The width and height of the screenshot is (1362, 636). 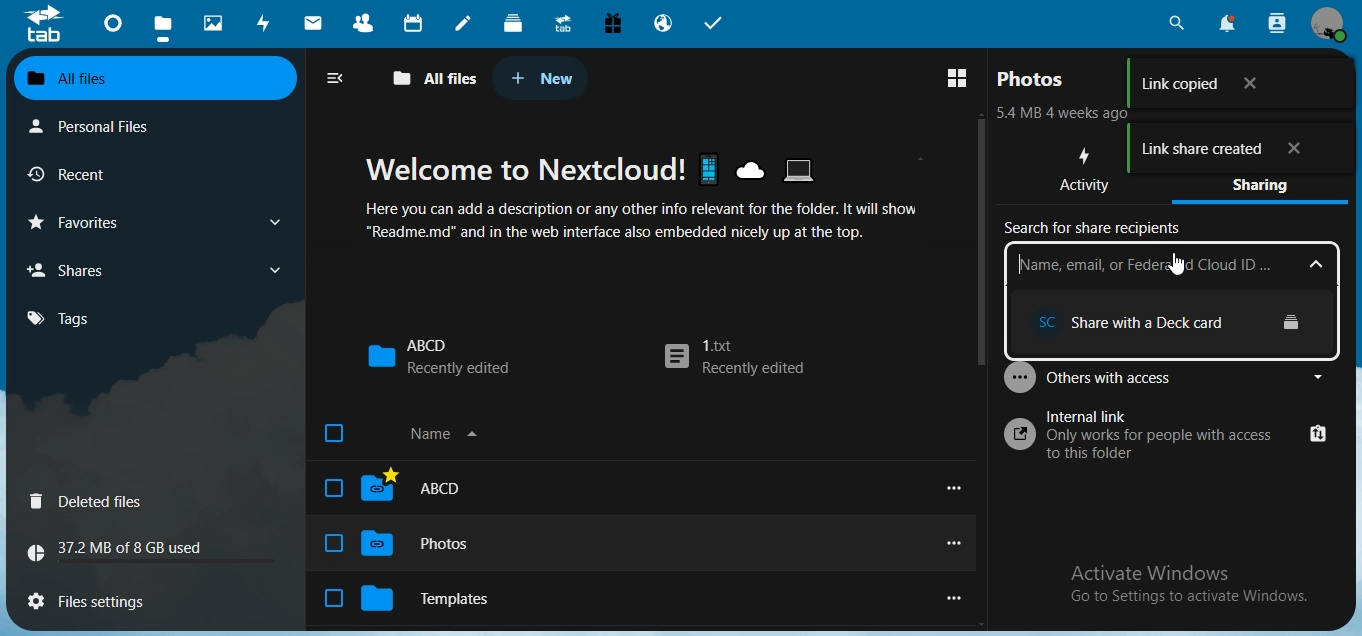 What do you see at coordinates (1268, 189) in the screenshot?
I see `sharing` at bounding box center [1268, 189].